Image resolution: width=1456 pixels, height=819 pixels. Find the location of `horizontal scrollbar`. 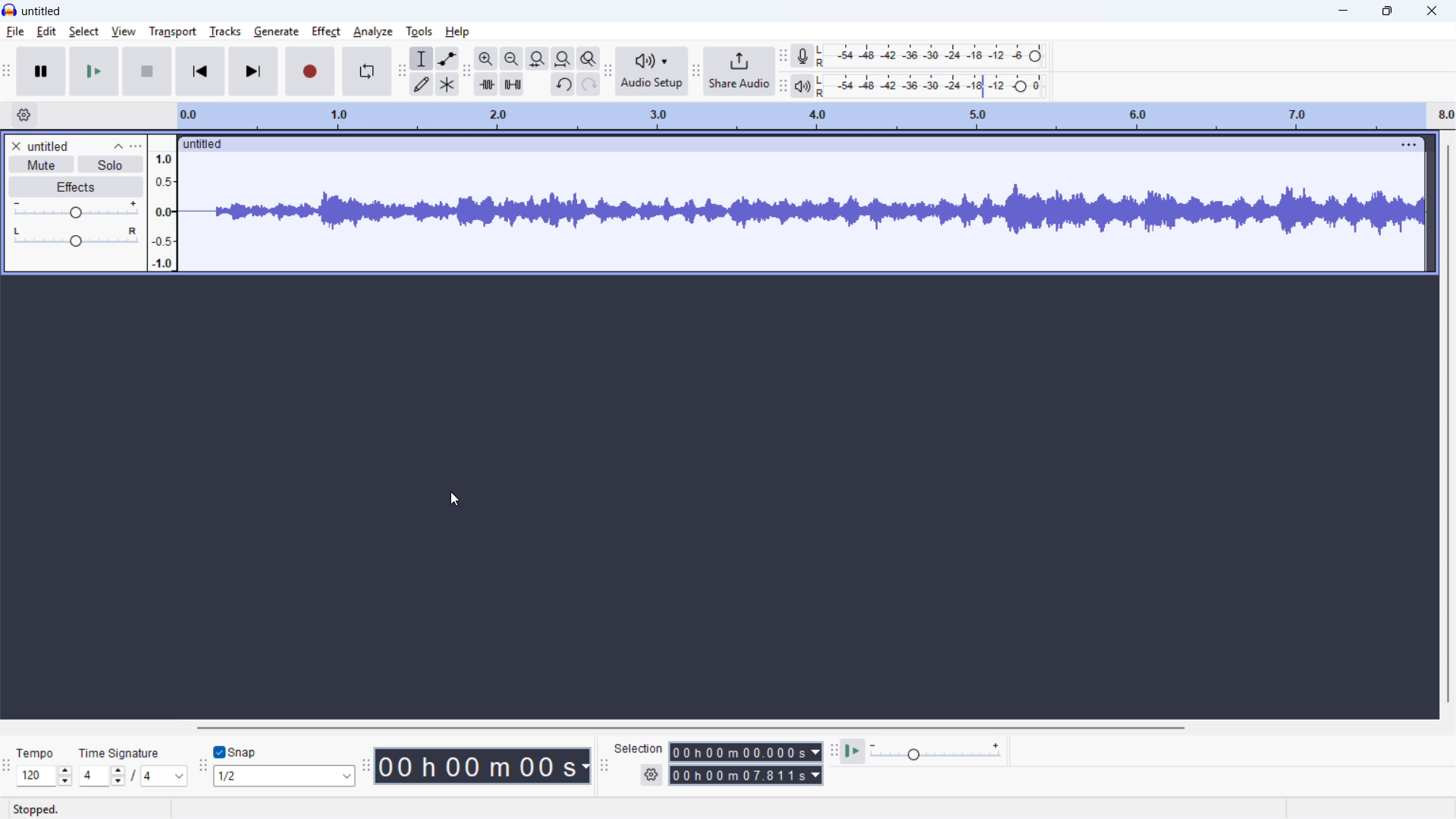

horizontal scrollbar is located at coordinates (689, 728).